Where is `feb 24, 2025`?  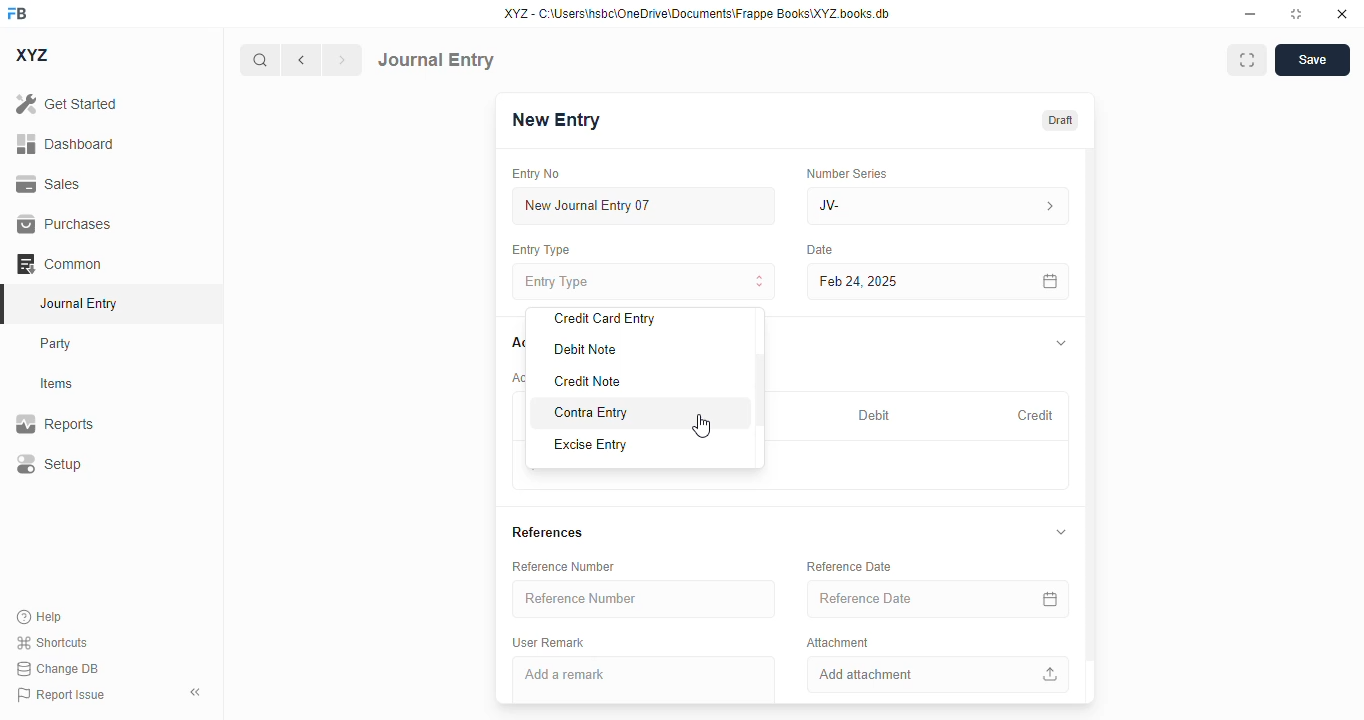 feb 24, 2025 is located at coordinates (895, 282).